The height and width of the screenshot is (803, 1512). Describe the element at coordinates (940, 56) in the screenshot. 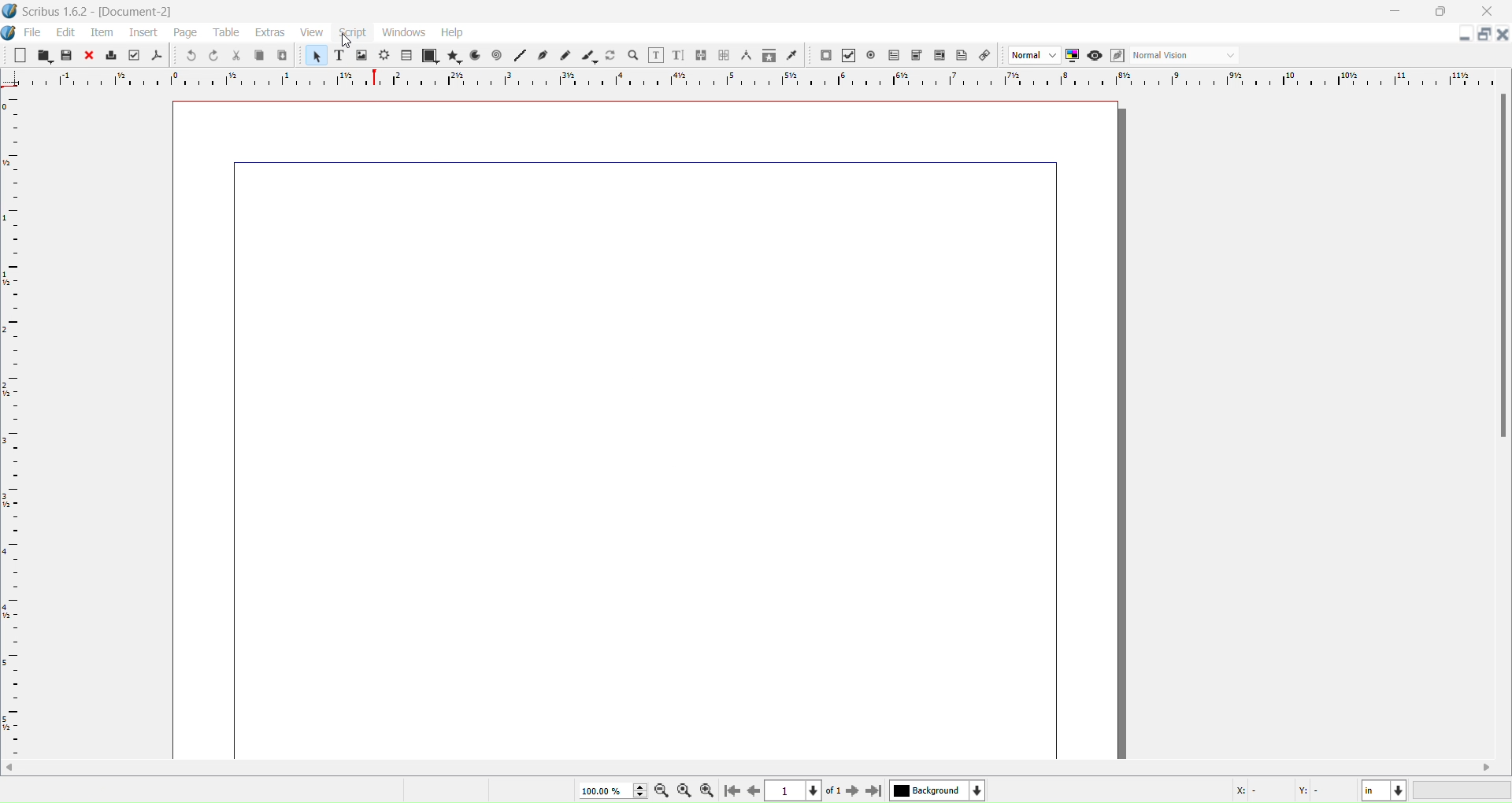

I see `PDF List Box` at that location.